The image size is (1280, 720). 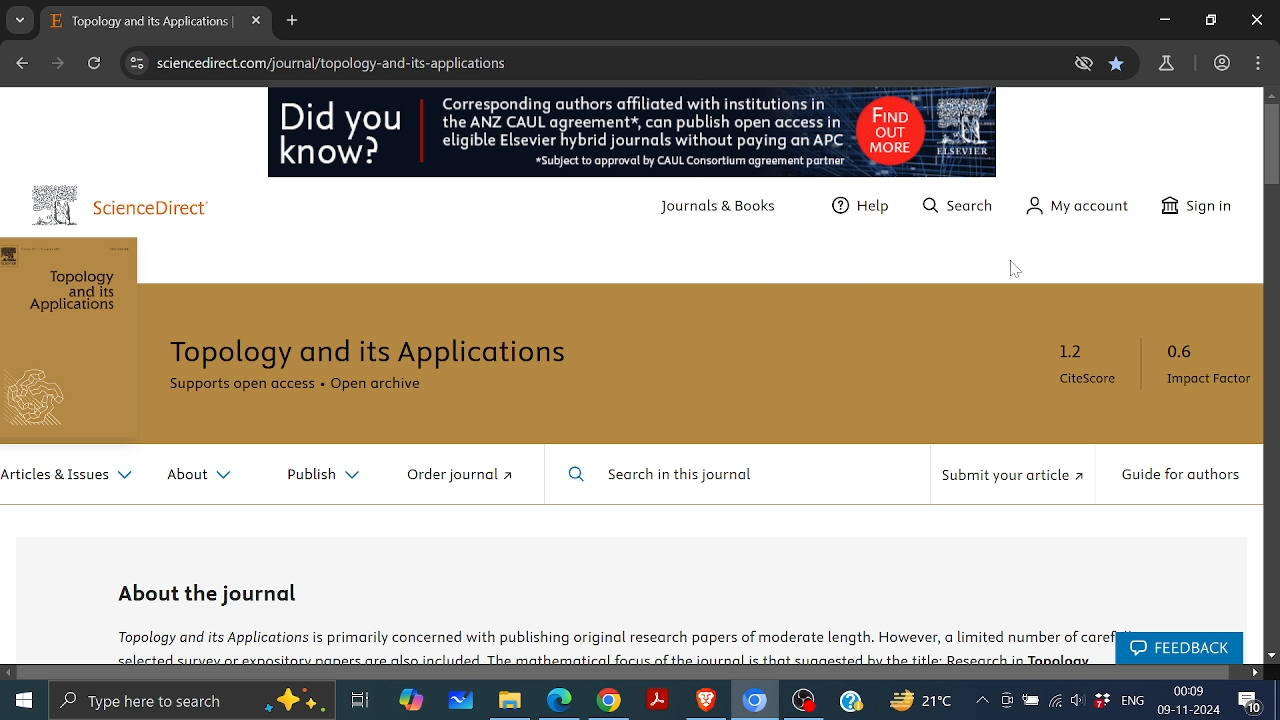 What do you see at coordinates (1221, 62) in the screenshot?
I see `Work` at bounding box center [1221, 62].